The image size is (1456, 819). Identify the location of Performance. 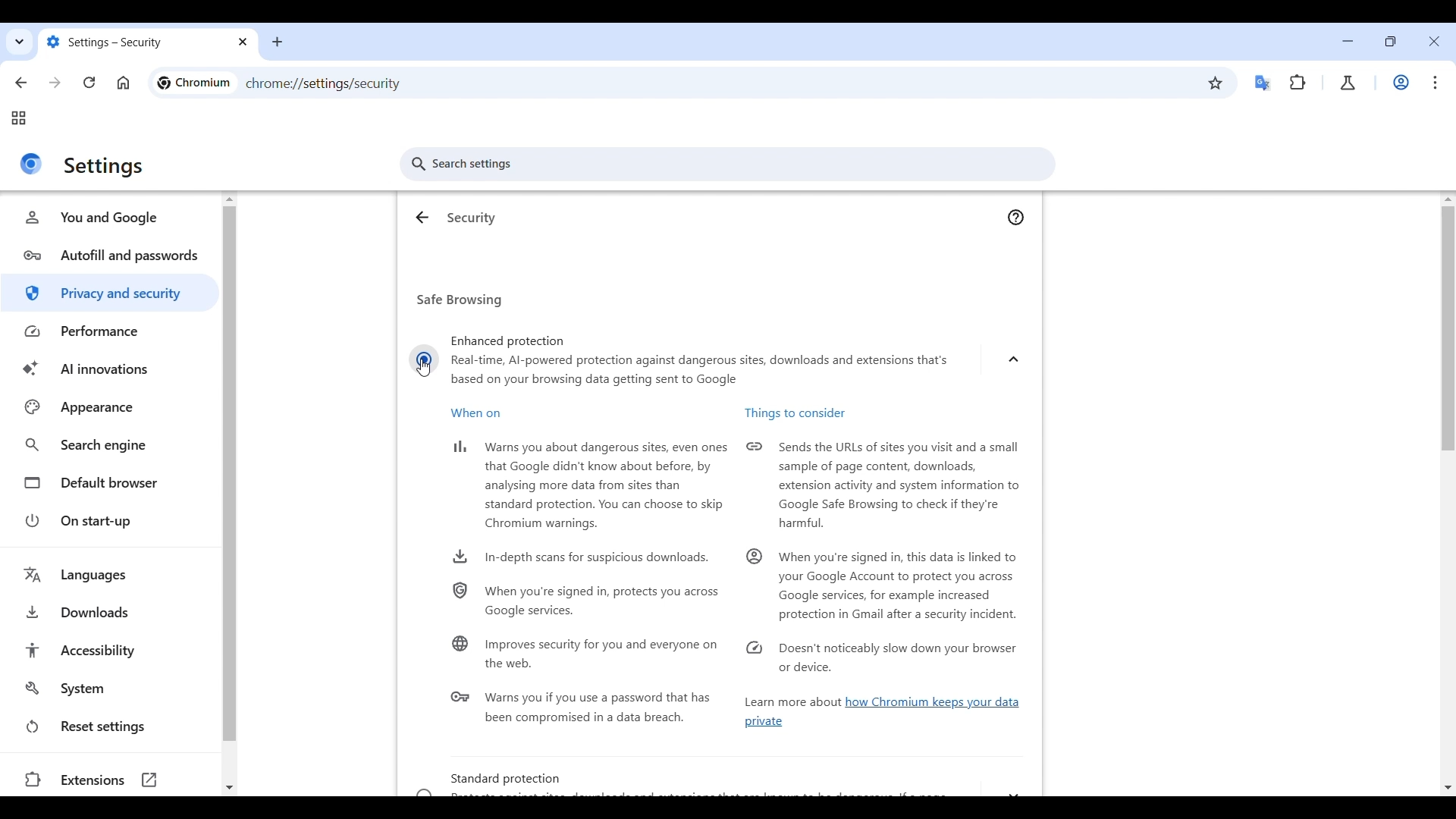
(111, 331).